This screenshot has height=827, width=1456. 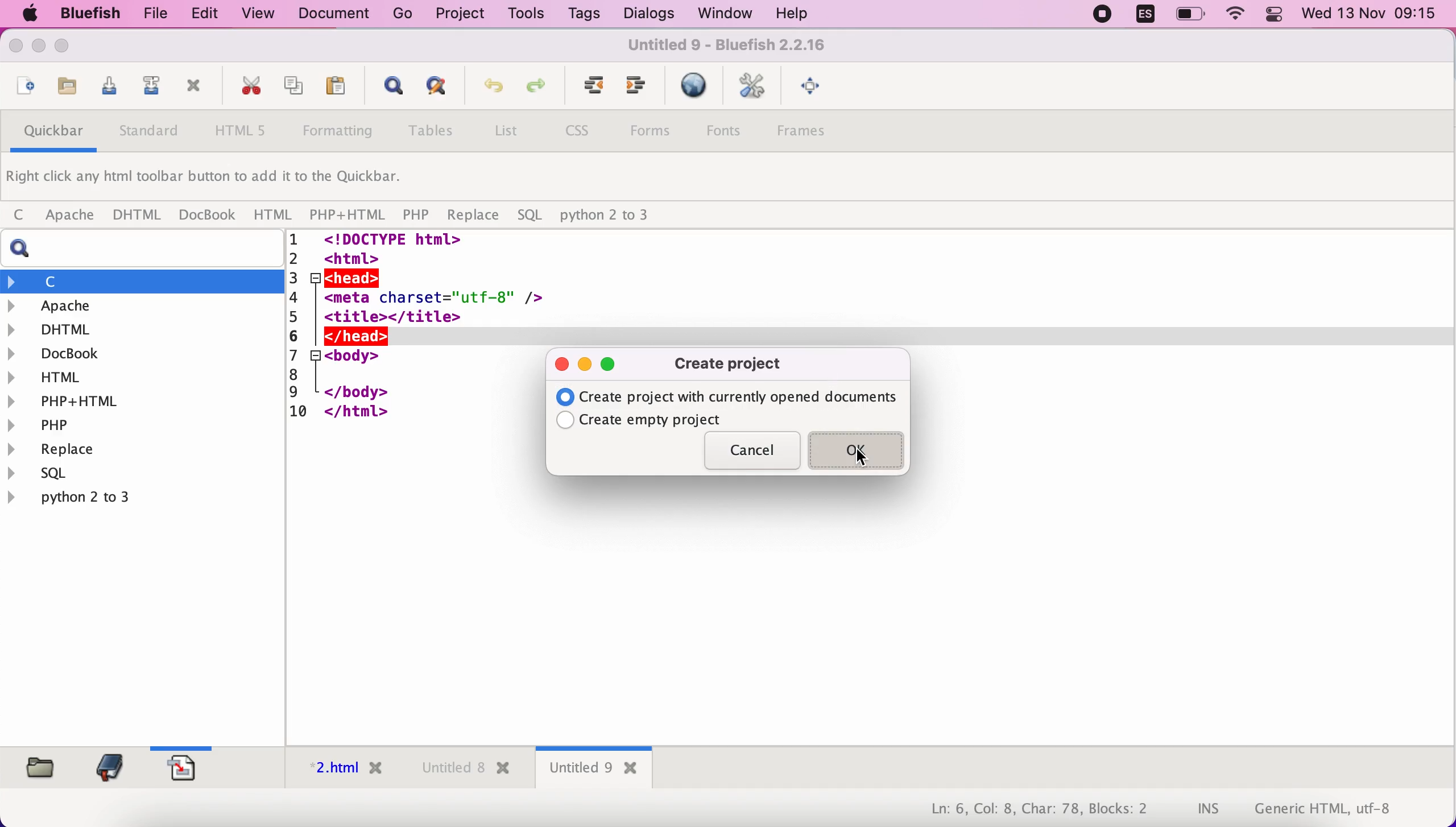 What do you see at coordinates (45, 475) in the screenshot?
I see `sql` at bounding box center [45, 475].